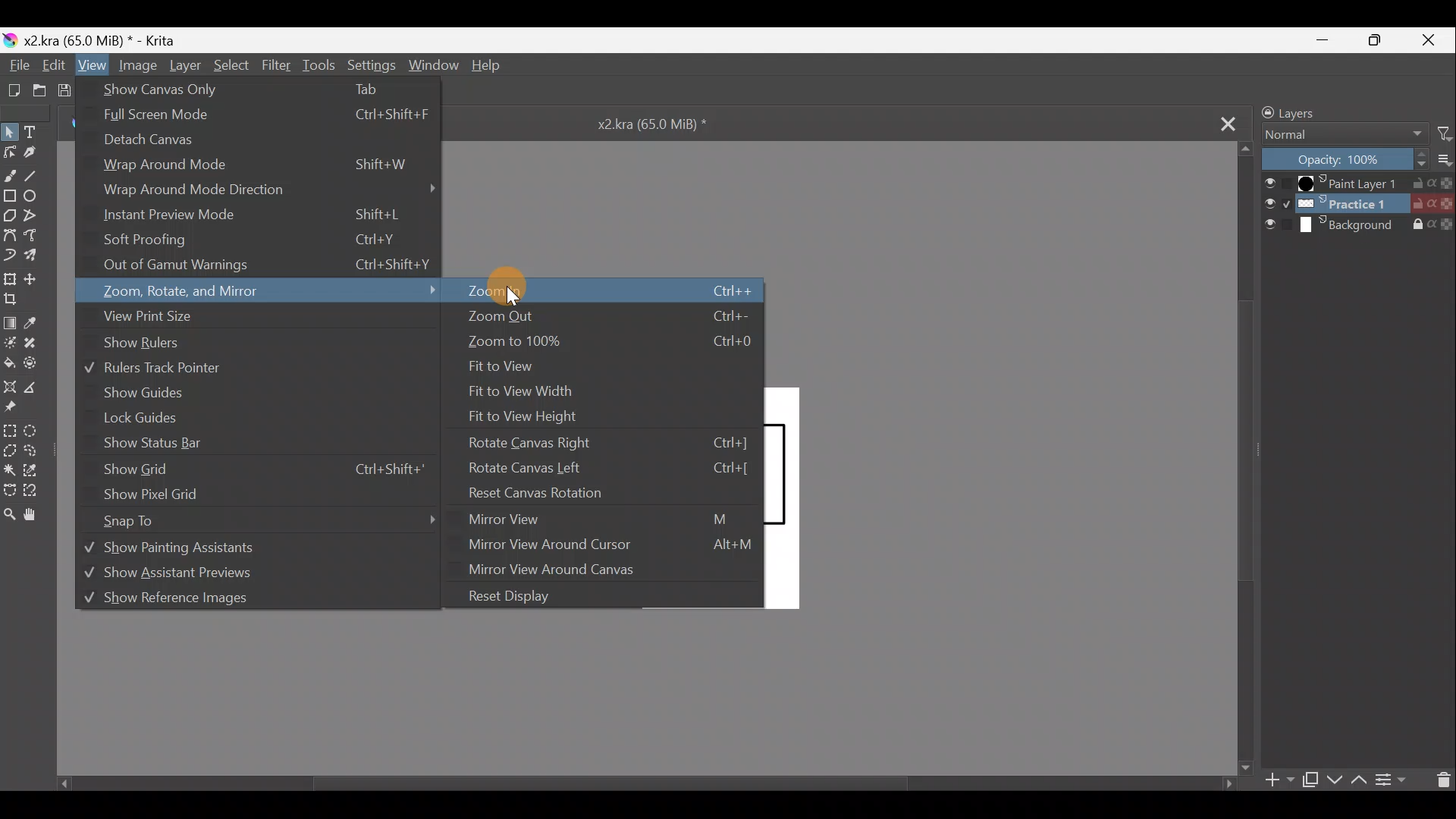 This screenshot has width=1456, height=819. I want to click on Create new document, so click(14, 90).